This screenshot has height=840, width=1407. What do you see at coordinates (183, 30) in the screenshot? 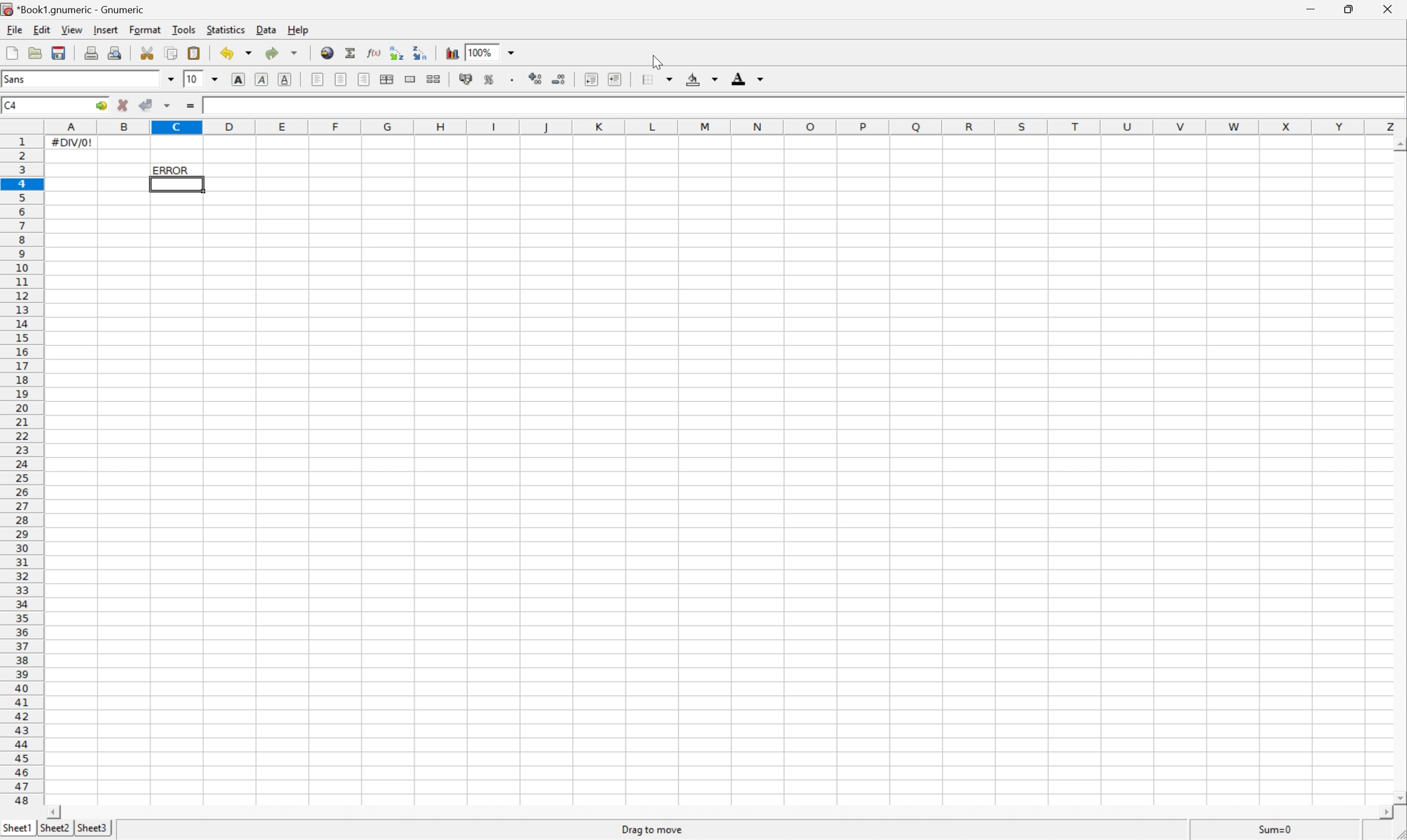
I see `Tools` at bounding box center [183, 30].